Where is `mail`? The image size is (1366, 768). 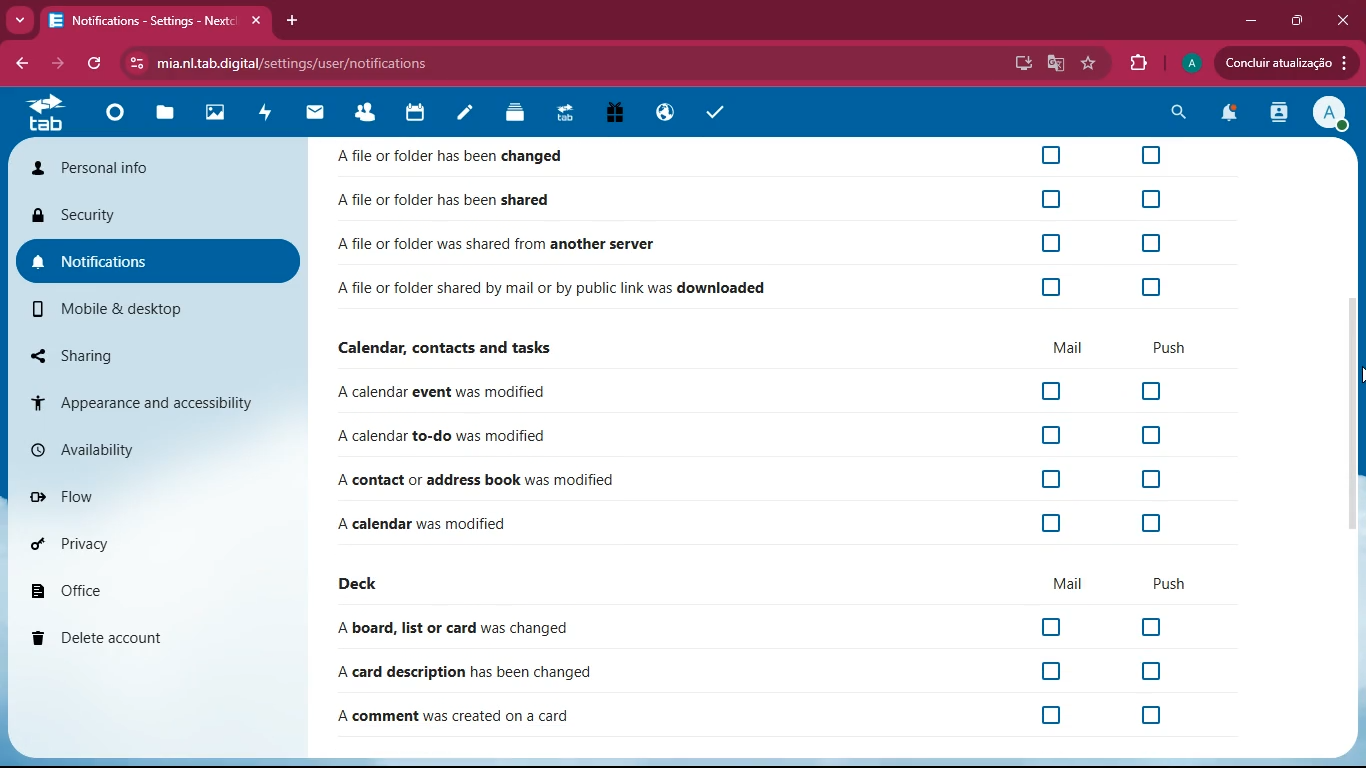
mail is located at coordinates (1064, 349).